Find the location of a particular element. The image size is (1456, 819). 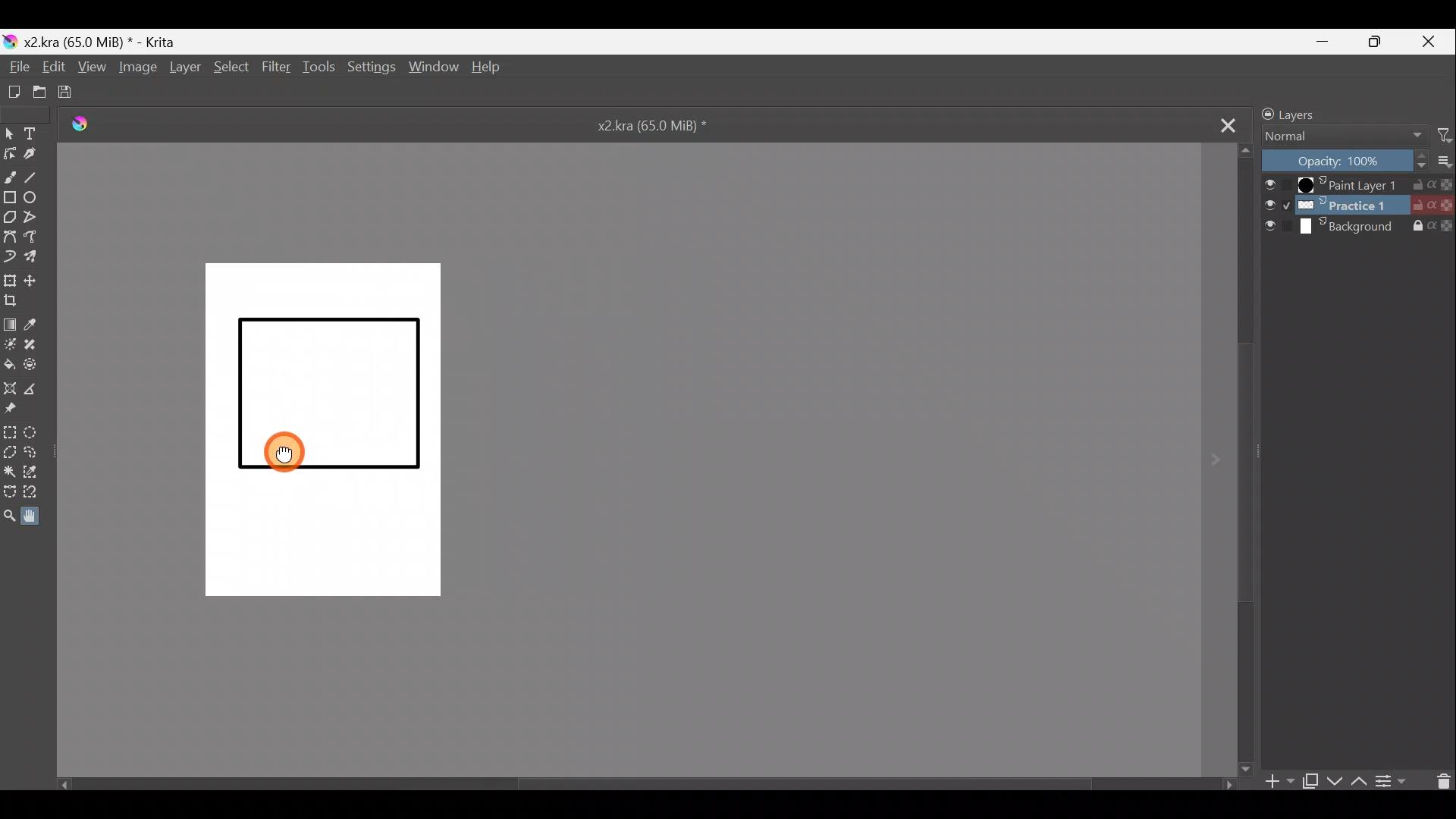

Polyline tool is located at coordinates (36, 218).